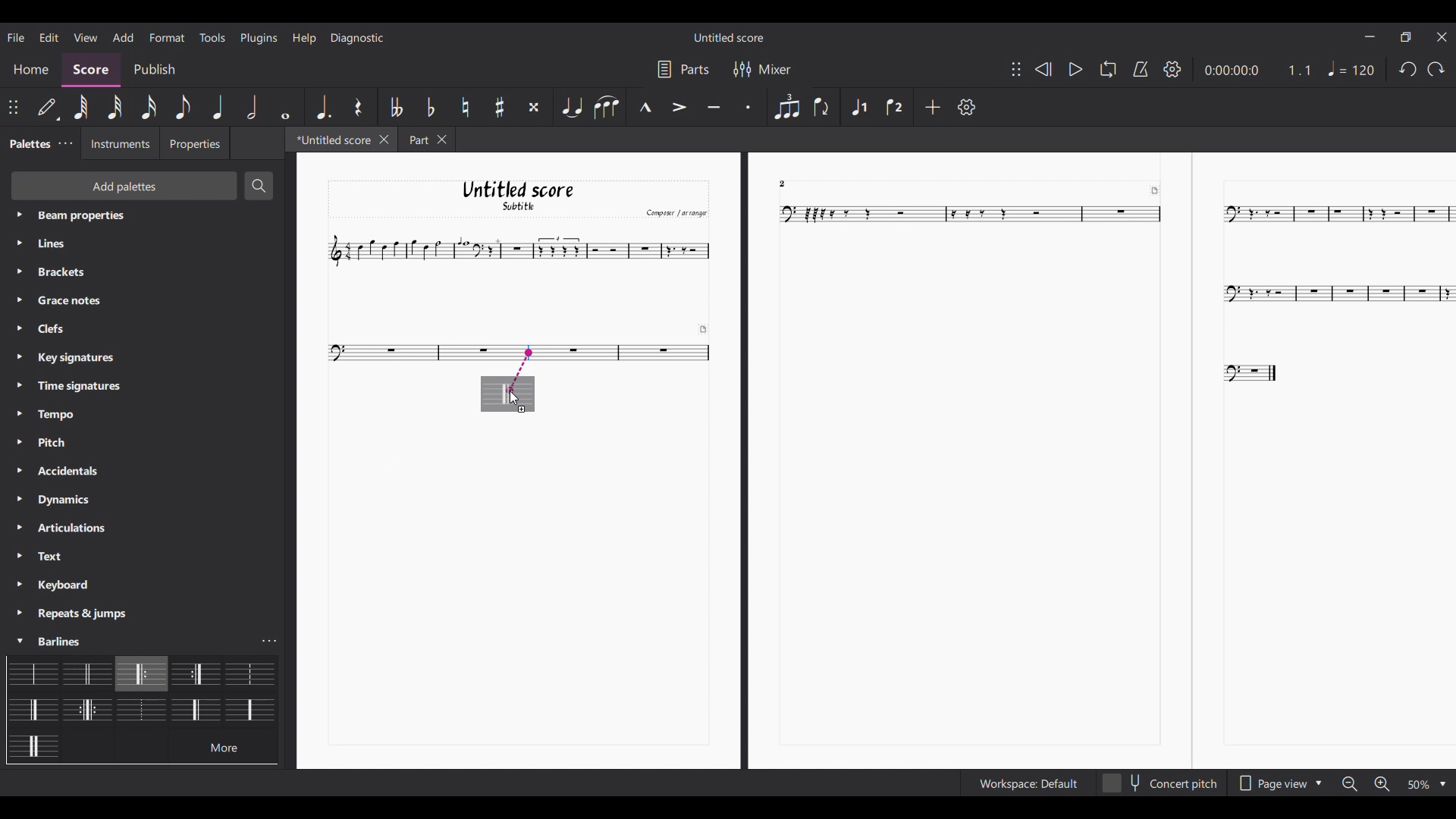  I want to click on Palette settings, so click(55, 498).